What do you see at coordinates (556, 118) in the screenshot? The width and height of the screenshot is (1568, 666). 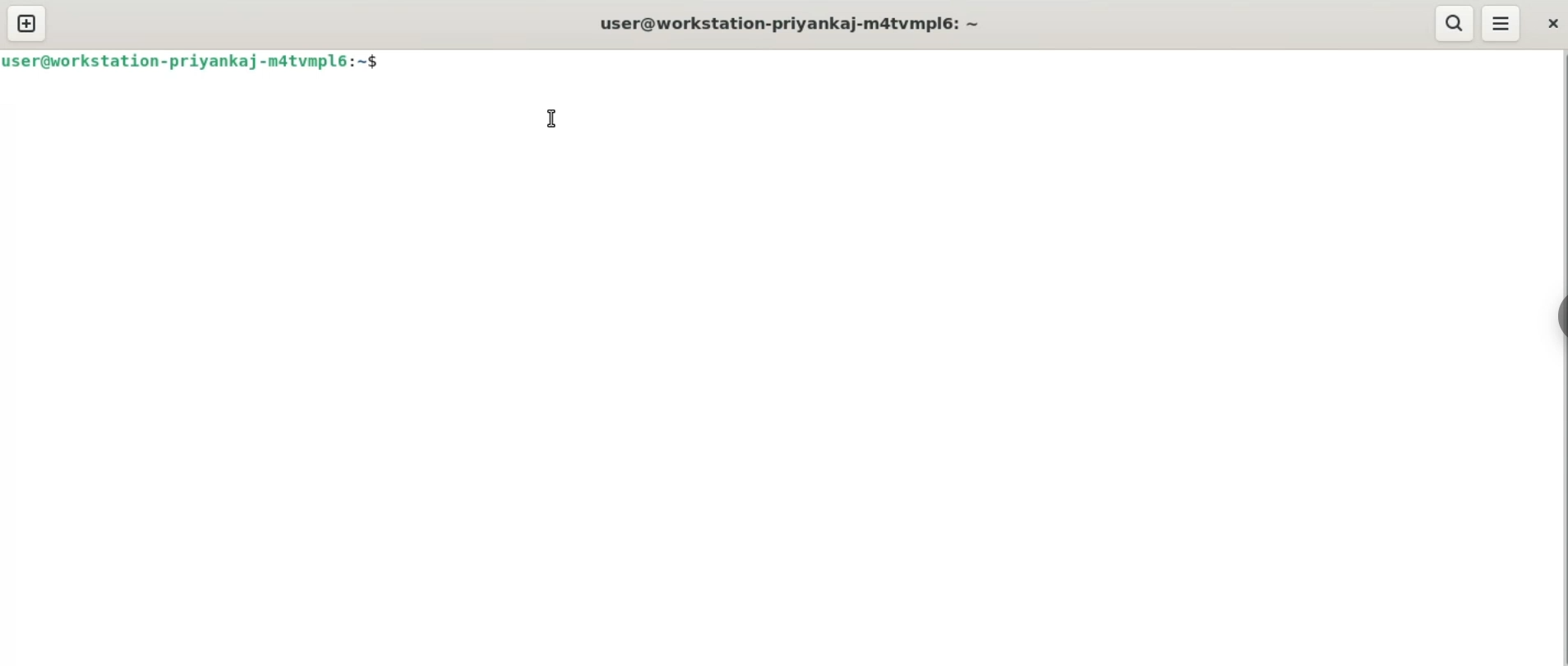 I see `cursor` at bounding box center [556, 118].